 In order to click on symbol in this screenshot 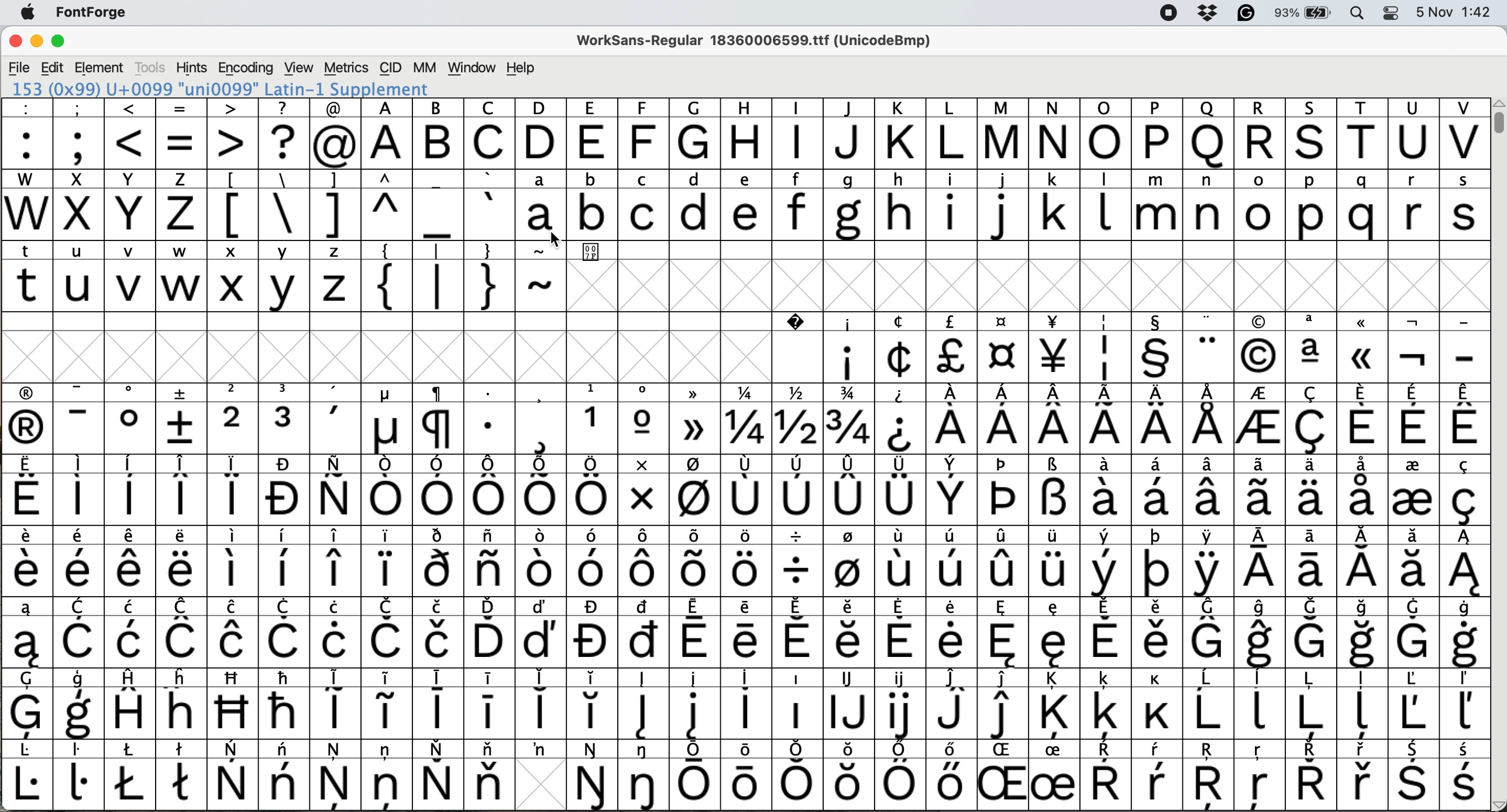, I will do `click(1004, 632)`.